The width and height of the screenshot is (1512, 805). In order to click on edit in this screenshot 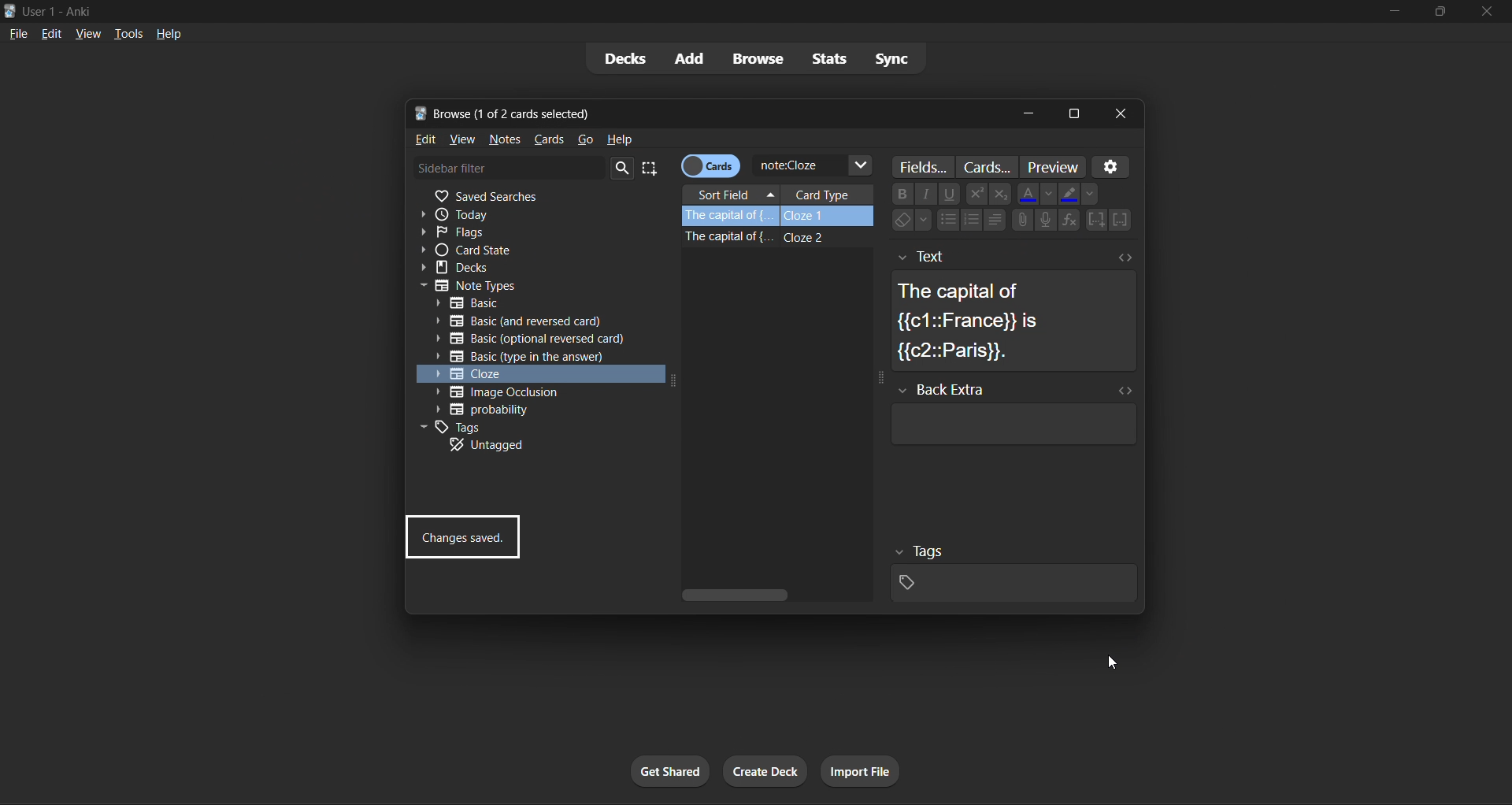, I will do `click(422, 140)`.